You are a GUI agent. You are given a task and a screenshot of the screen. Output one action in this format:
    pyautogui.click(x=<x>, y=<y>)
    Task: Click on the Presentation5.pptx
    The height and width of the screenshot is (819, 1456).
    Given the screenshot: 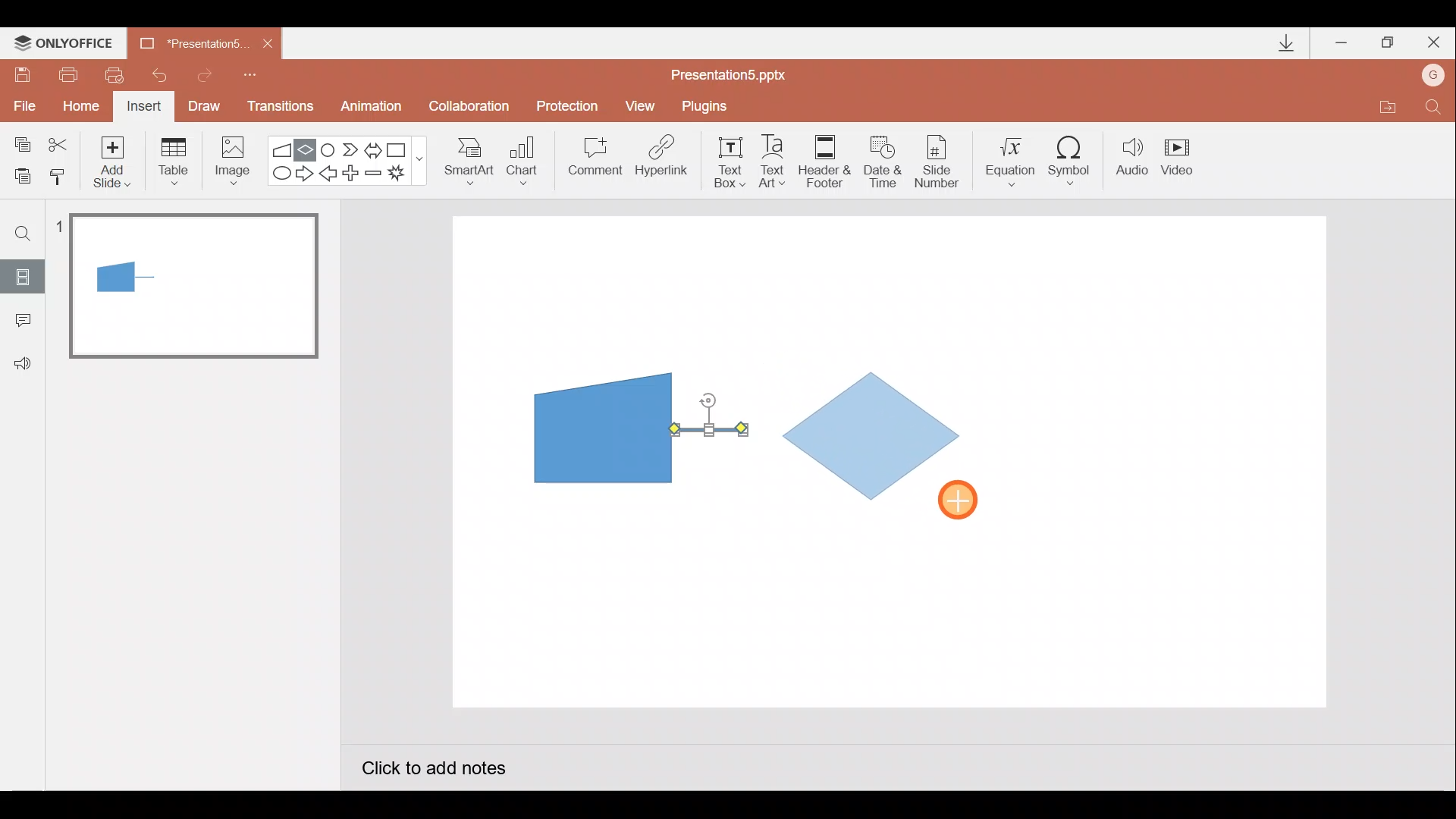 What is the action you would take?
    pyautogui.click(x=739, y=71)
    